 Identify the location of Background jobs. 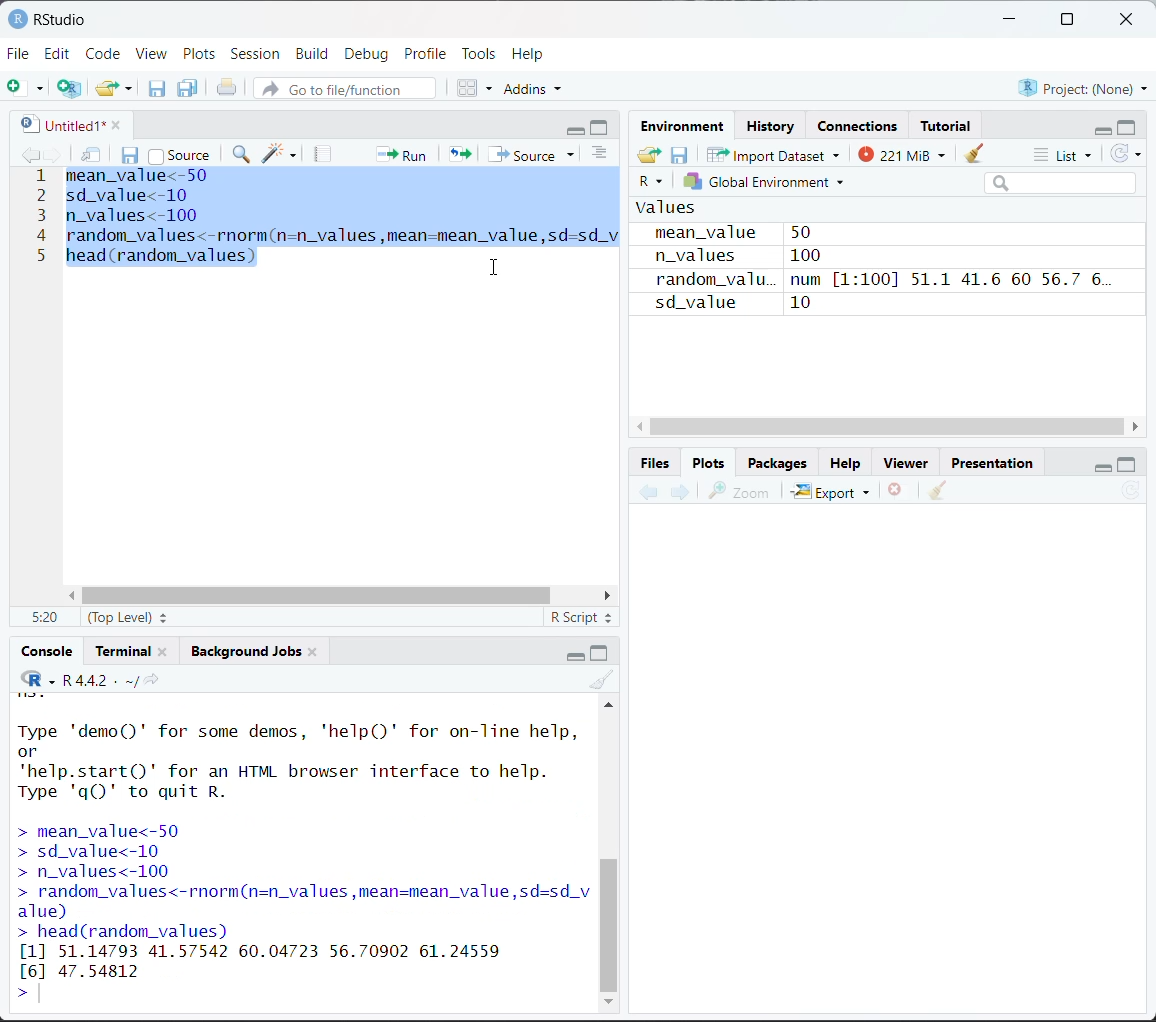
(246, 651).